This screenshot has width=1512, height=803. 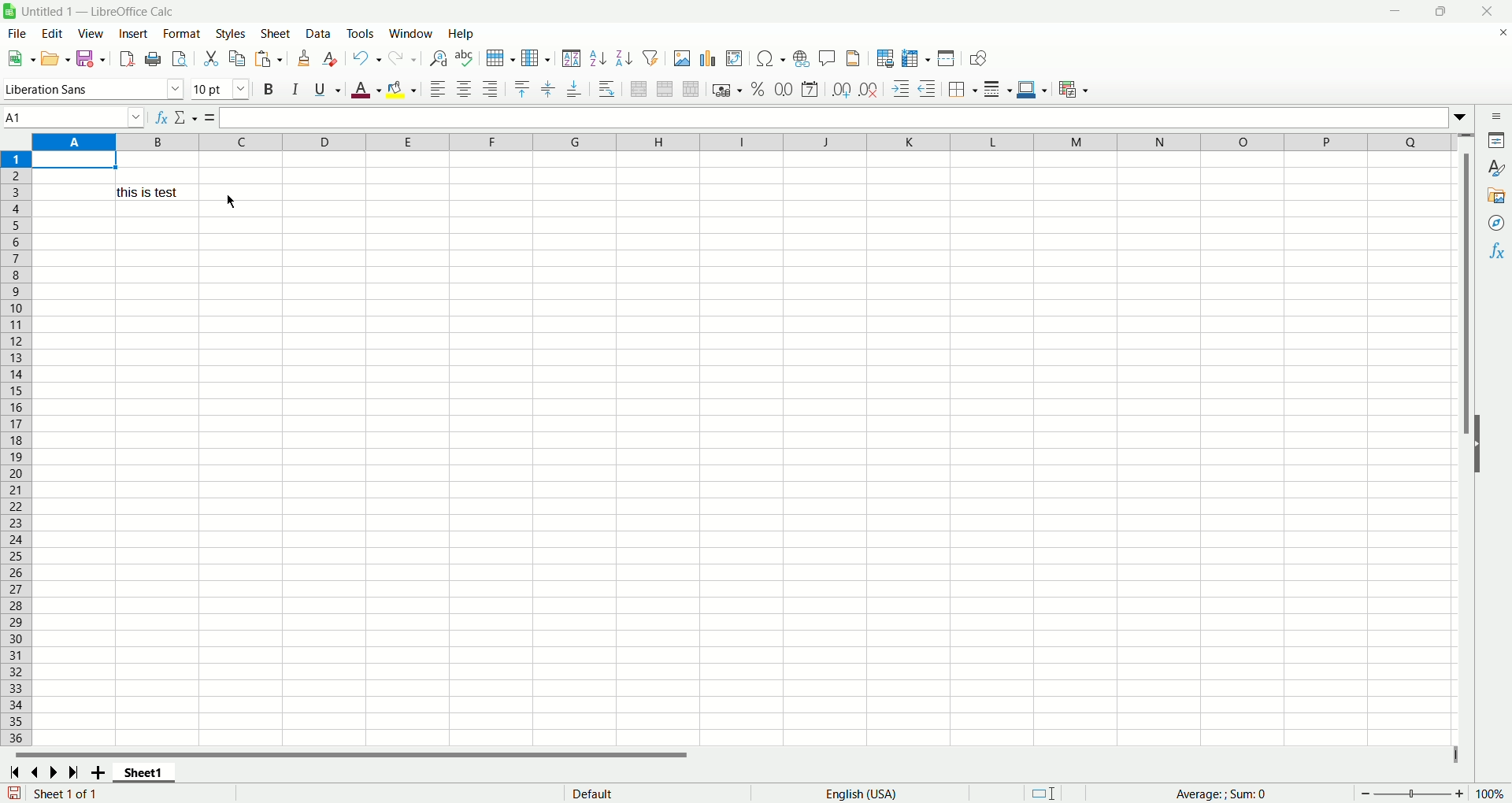 I want to click on close, so click(x=1484, y=12).